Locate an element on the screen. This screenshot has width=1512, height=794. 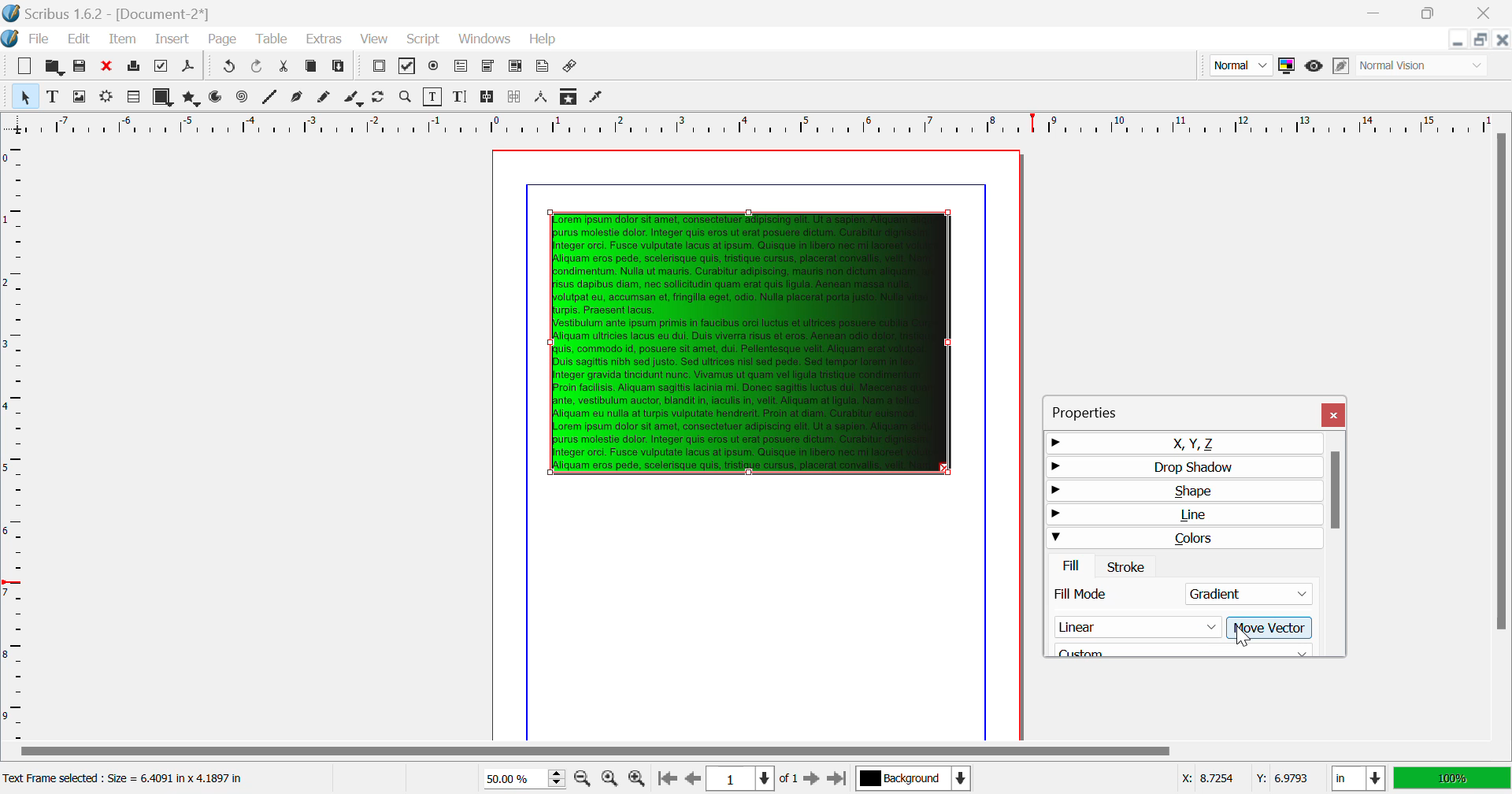
Eyedropper is located at coordinates (597, 98).